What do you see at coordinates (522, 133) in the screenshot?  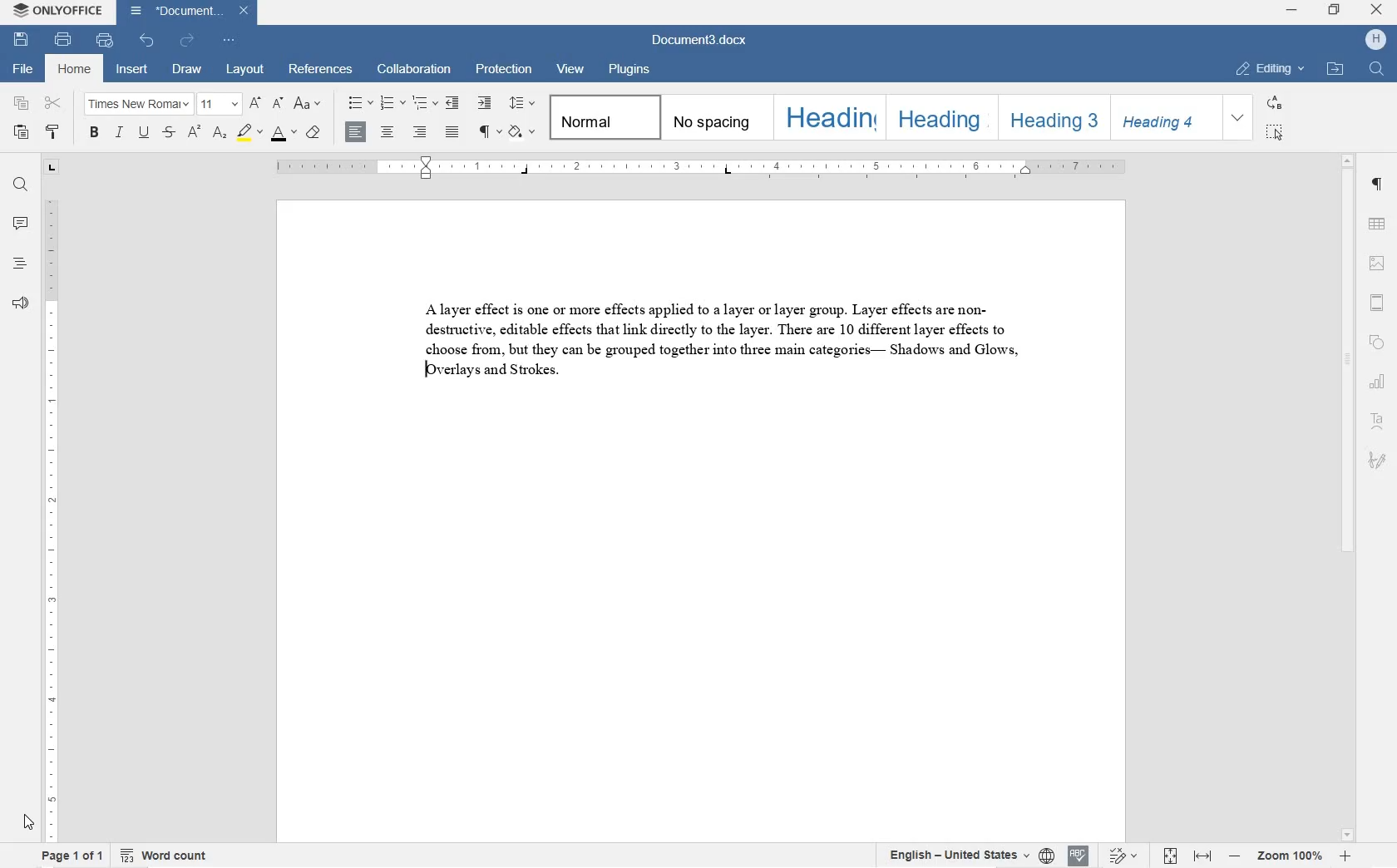 I see `SHADING` at bounding box center [522, 133].